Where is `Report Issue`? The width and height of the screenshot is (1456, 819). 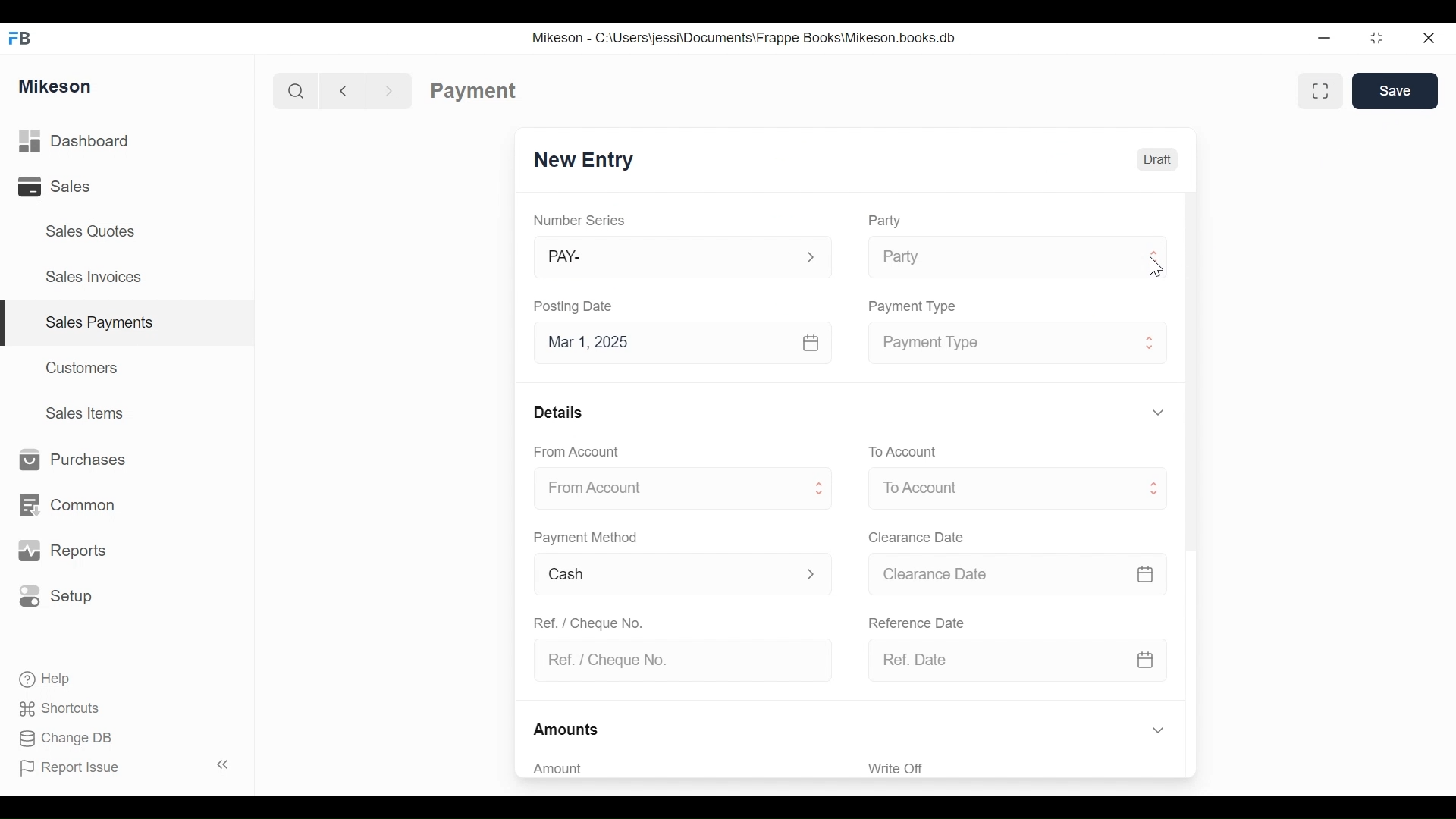
Report Issue is located at coordinates (77, 768).